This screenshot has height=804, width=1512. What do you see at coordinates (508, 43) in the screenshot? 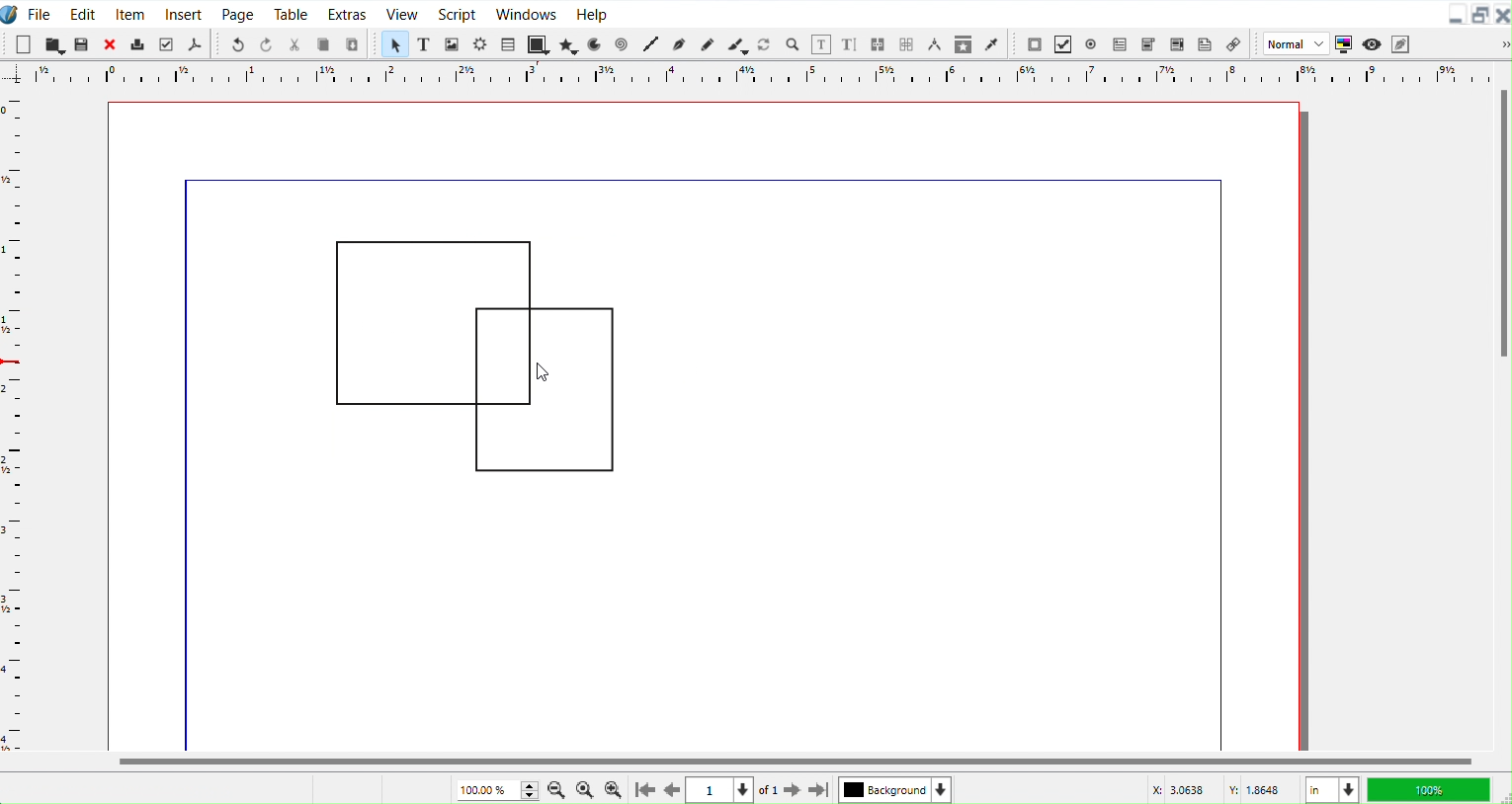
I see `Table` at bounding box center [508, 43].